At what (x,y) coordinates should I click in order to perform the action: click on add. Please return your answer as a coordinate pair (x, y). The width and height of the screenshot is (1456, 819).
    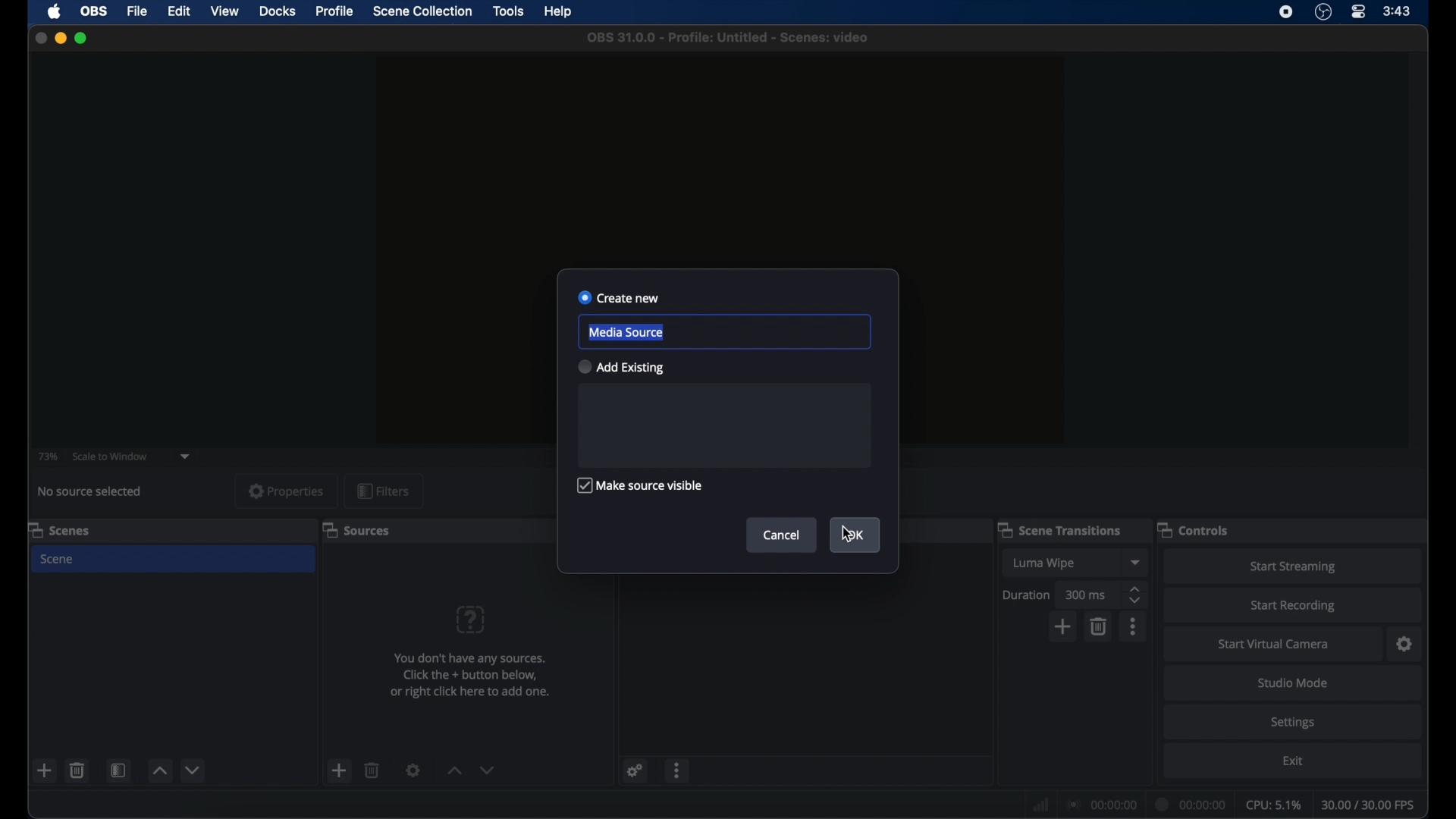
    Looking at the image, I should click on (338, 770).